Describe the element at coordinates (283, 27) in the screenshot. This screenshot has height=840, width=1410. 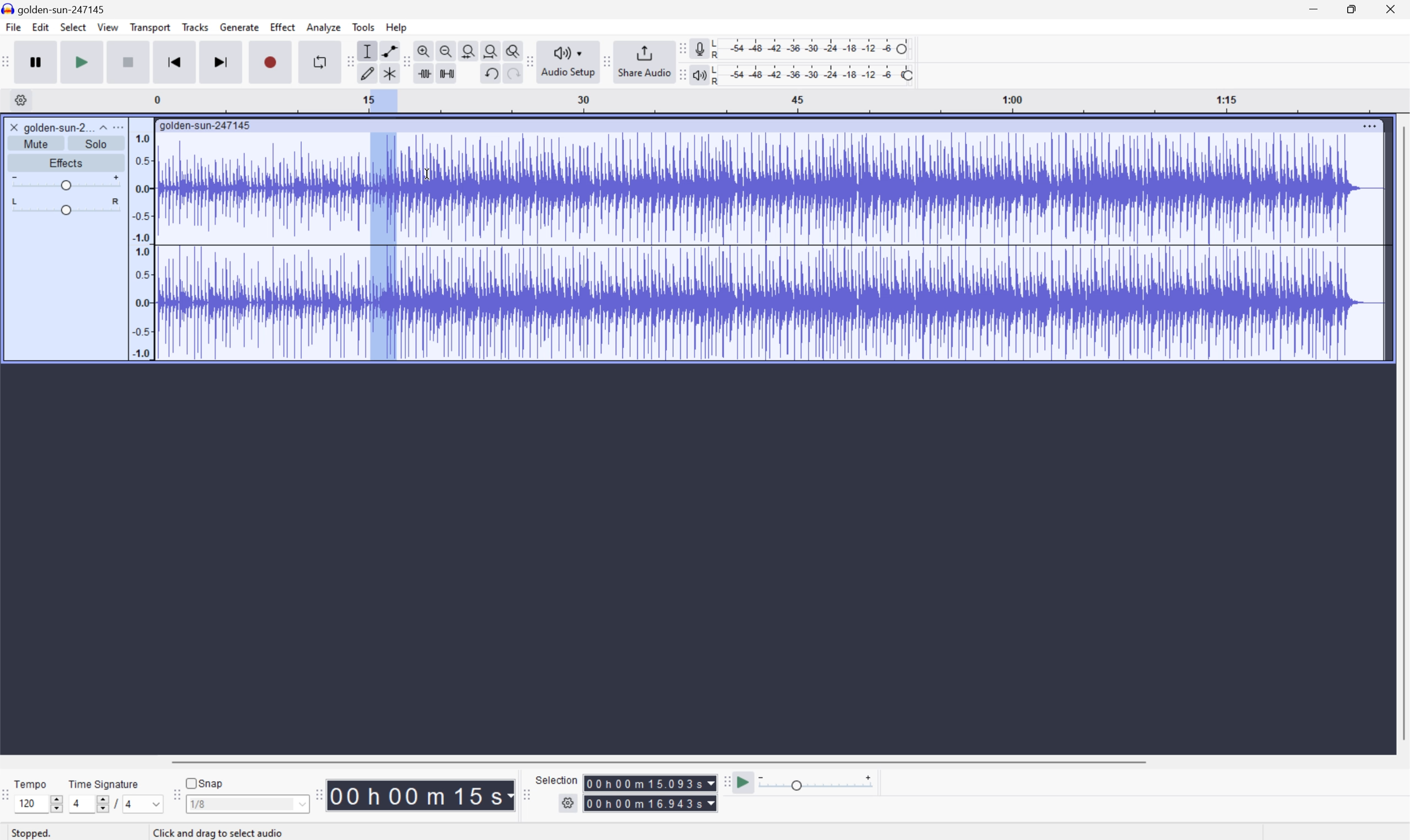
I see `Effect` at that location.